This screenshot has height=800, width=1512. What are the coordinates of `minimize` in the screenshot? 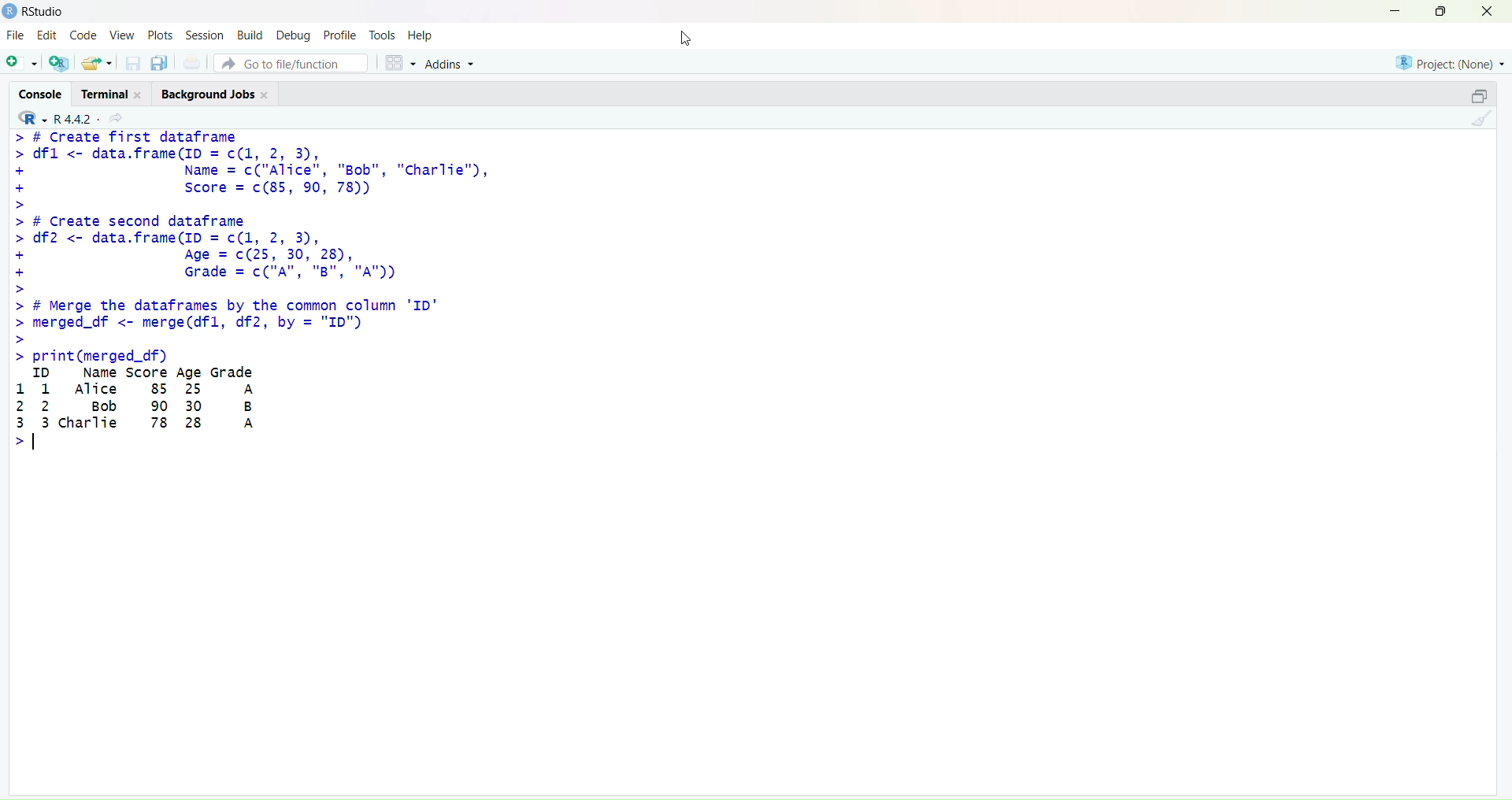 It's located at (1392, 11).